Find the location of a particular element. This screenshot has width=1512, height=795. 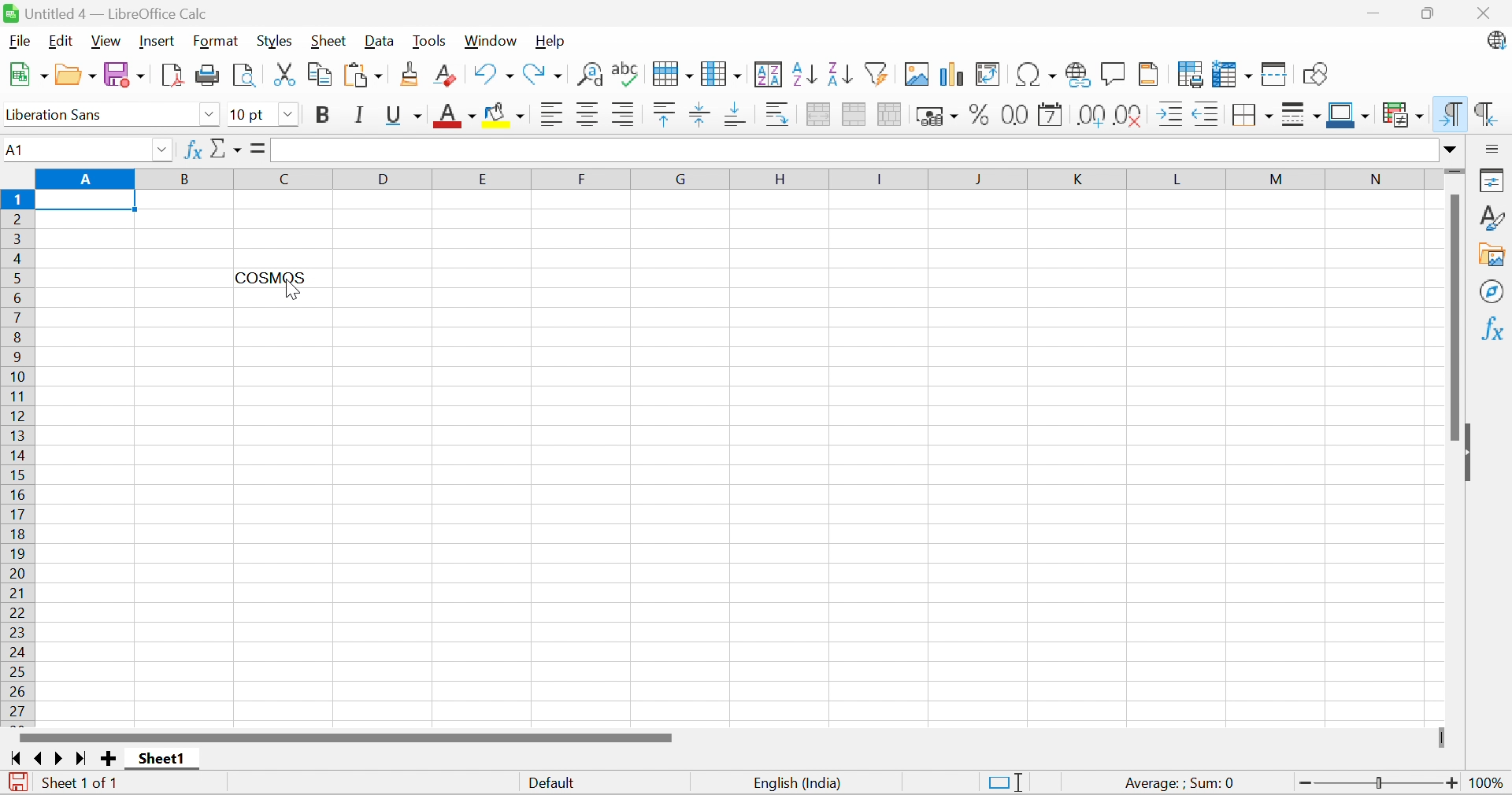

Column Name is located at coordinates (721, 179).